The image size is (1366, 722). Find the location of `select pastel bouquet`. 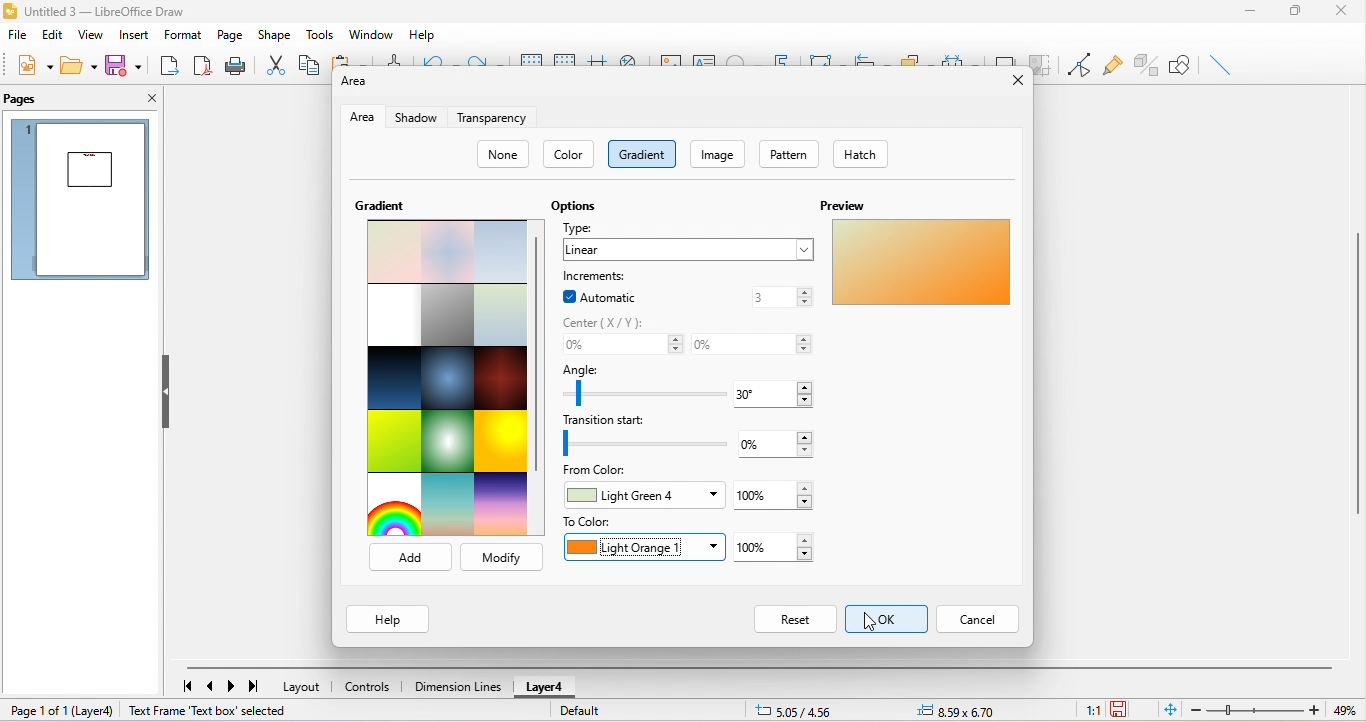

select pastel bouquet is located at coordinates (392, 252).